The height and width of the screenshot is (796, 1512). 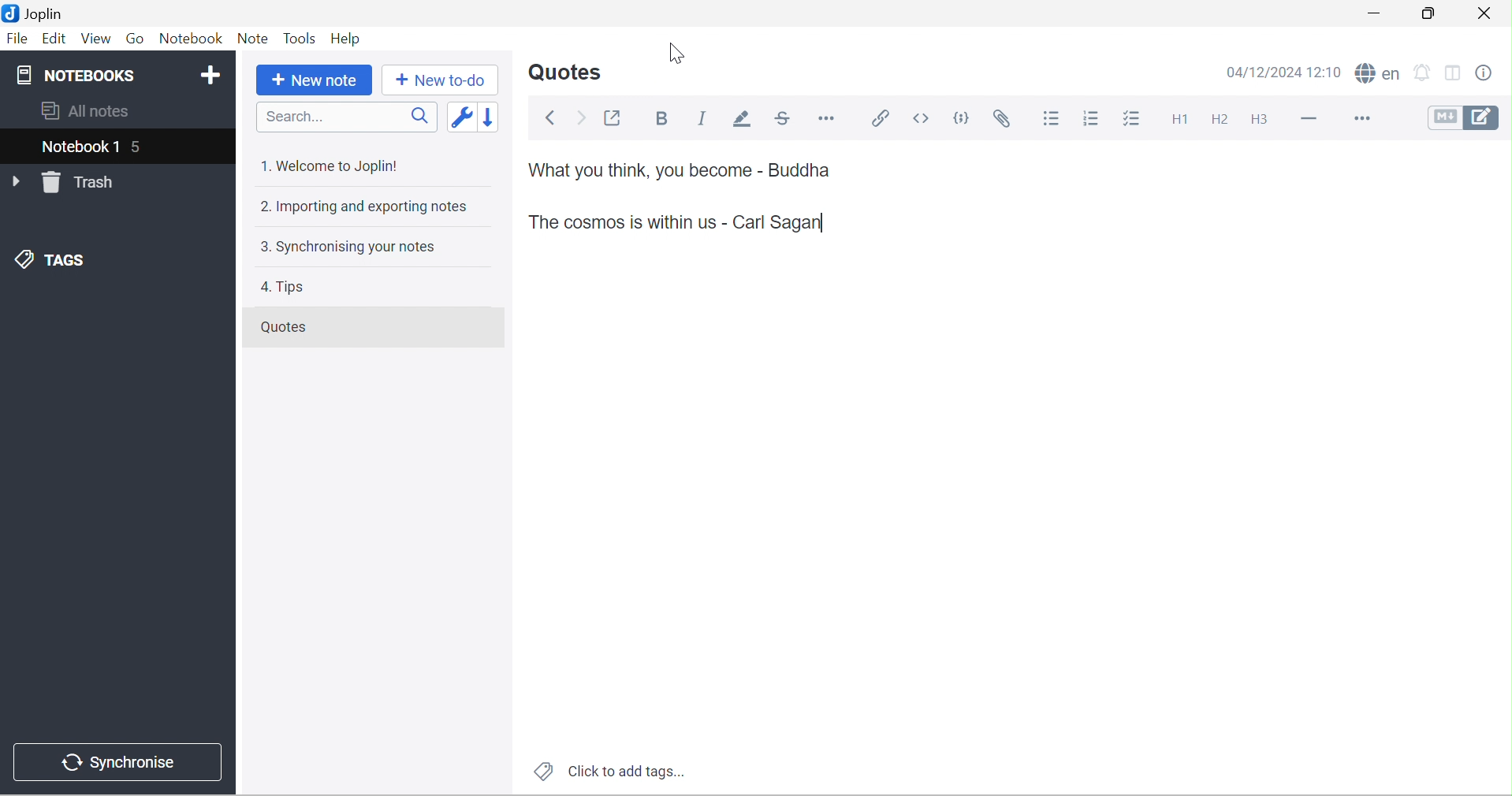 What do you see at coordinates (680, 223) in the screenshot?
I see `Quote` at bounding box center [680, 223].